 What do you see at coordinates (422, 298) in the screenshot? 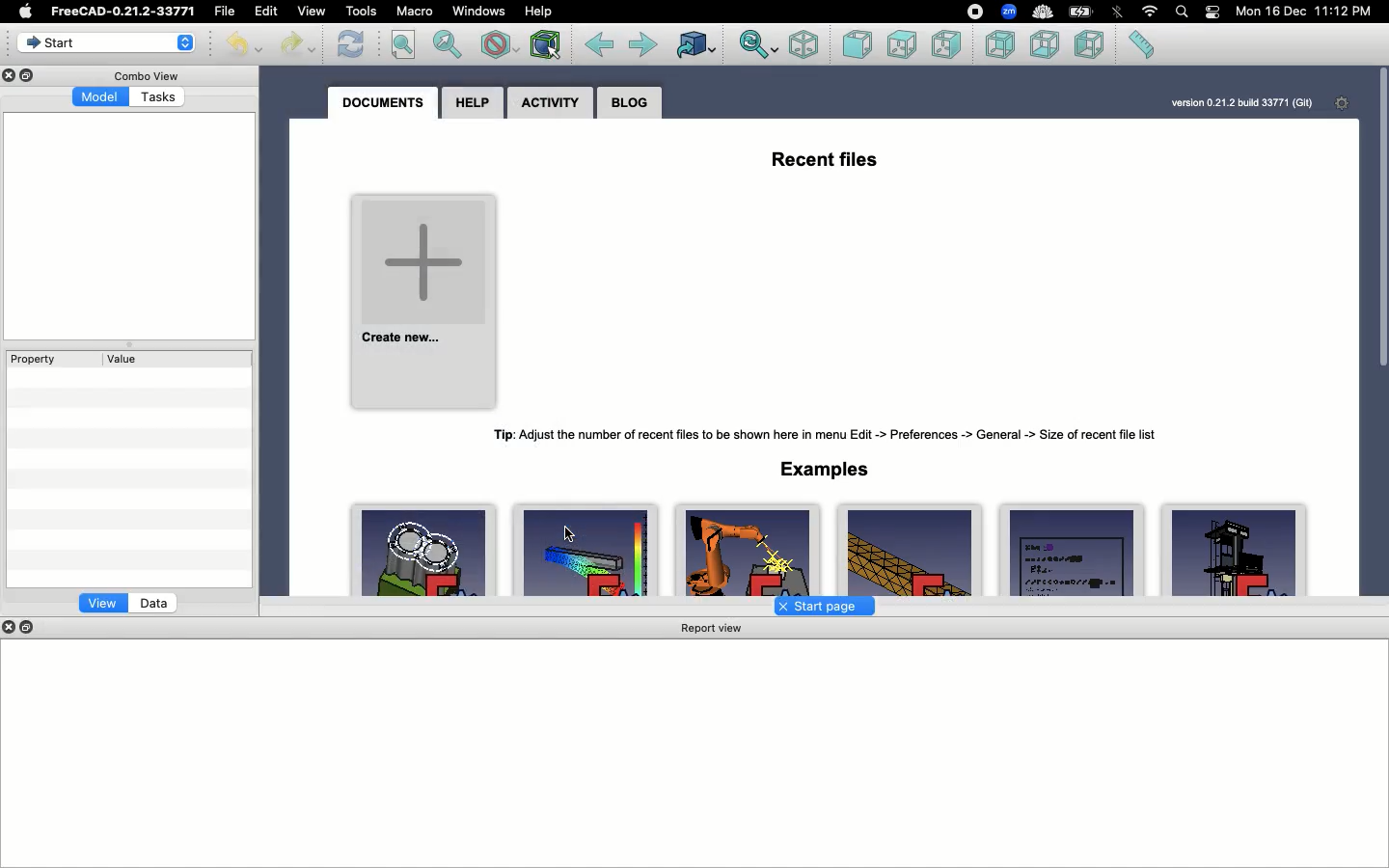
I see `Create new` at bounding box center [422, 298].